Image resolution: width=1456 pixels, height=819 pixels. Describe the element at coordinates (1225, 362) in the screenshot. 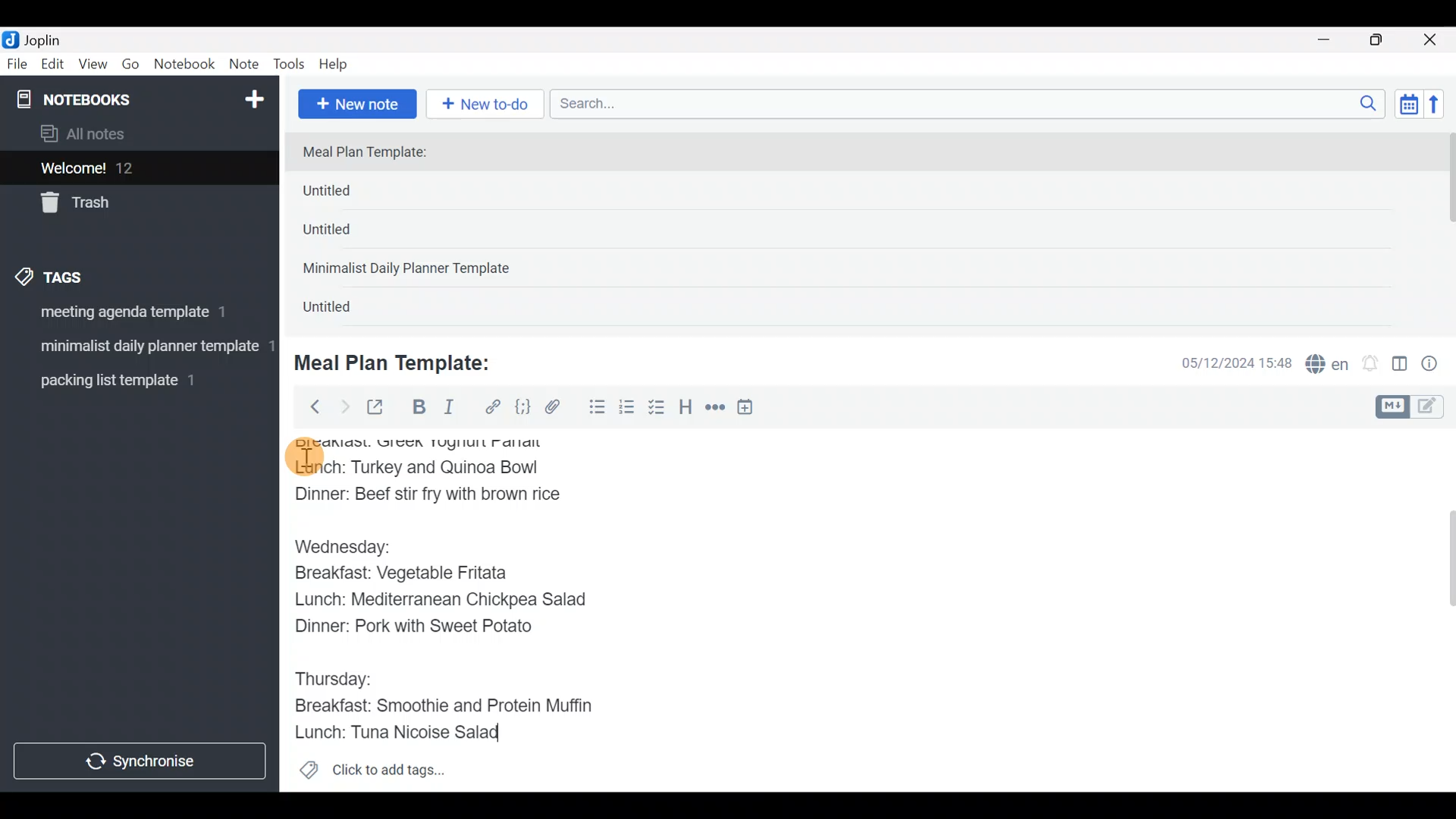

I see `Date & time` at that location.